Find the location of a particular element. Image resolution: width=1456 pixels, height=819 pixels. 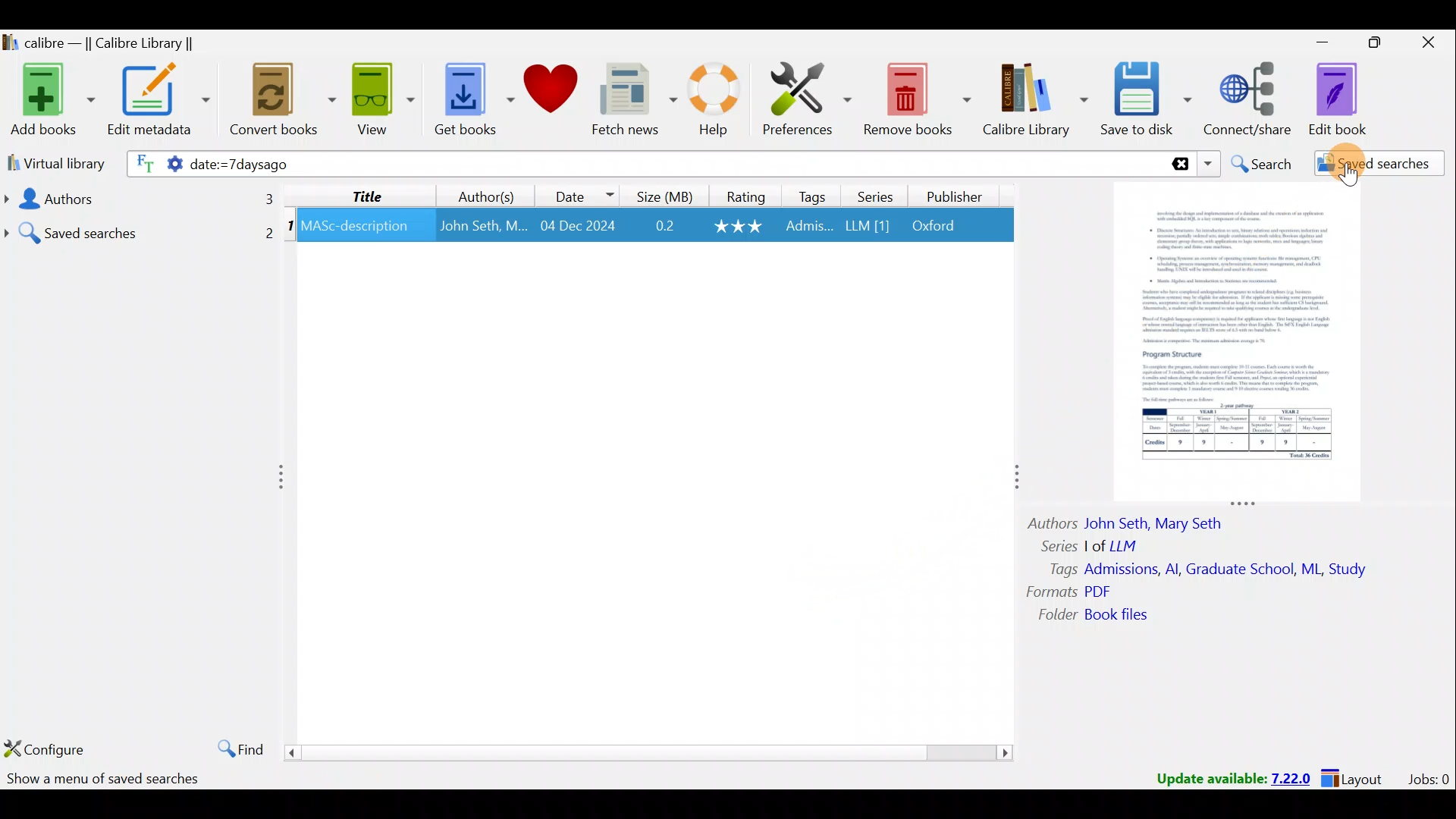

Scroll bar is located at coordinates (651, 752).